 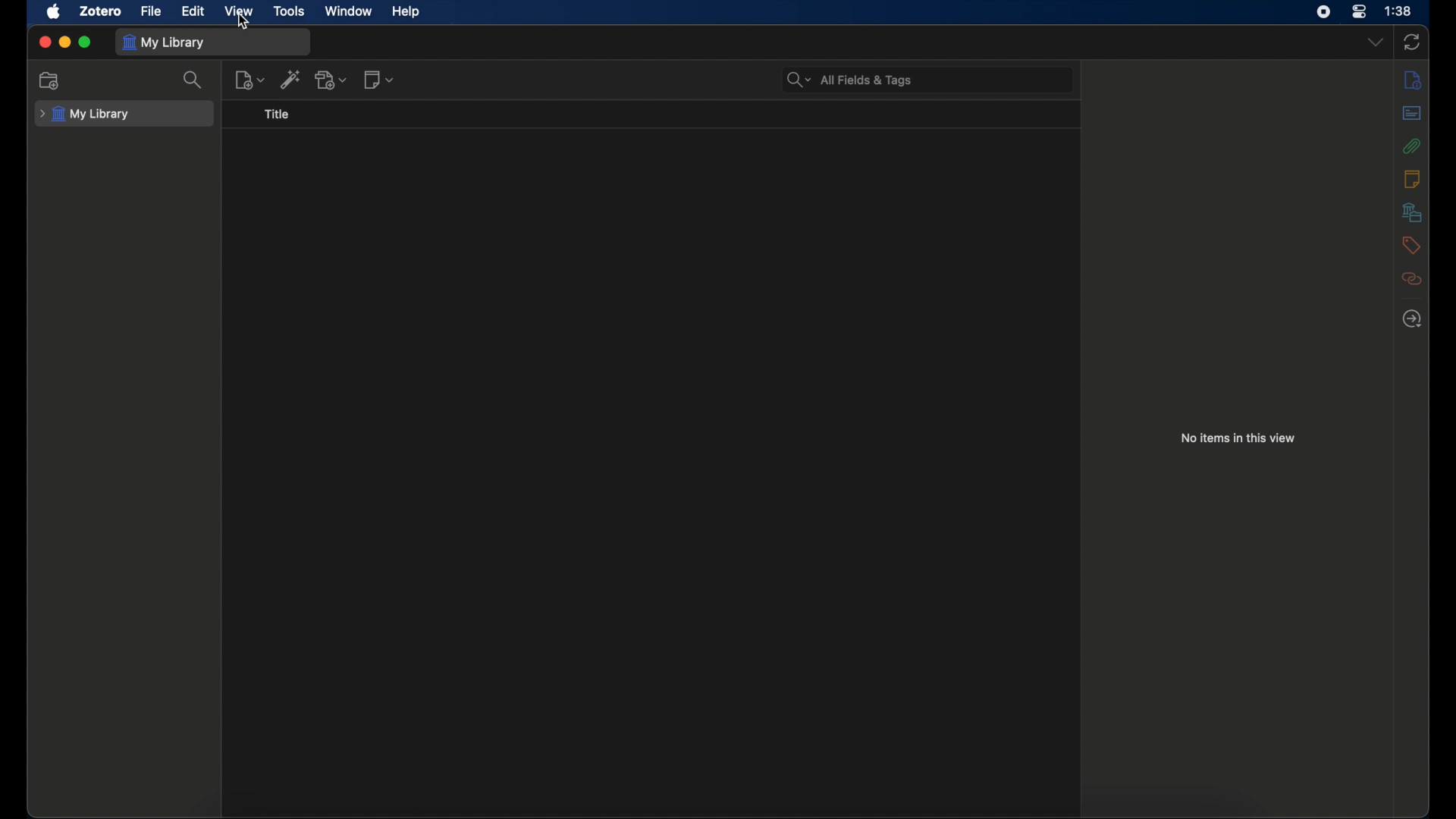 What do you see at coordinates (86, 114) in the screenshot?
I see `my library` at bounding box center [86, 114].